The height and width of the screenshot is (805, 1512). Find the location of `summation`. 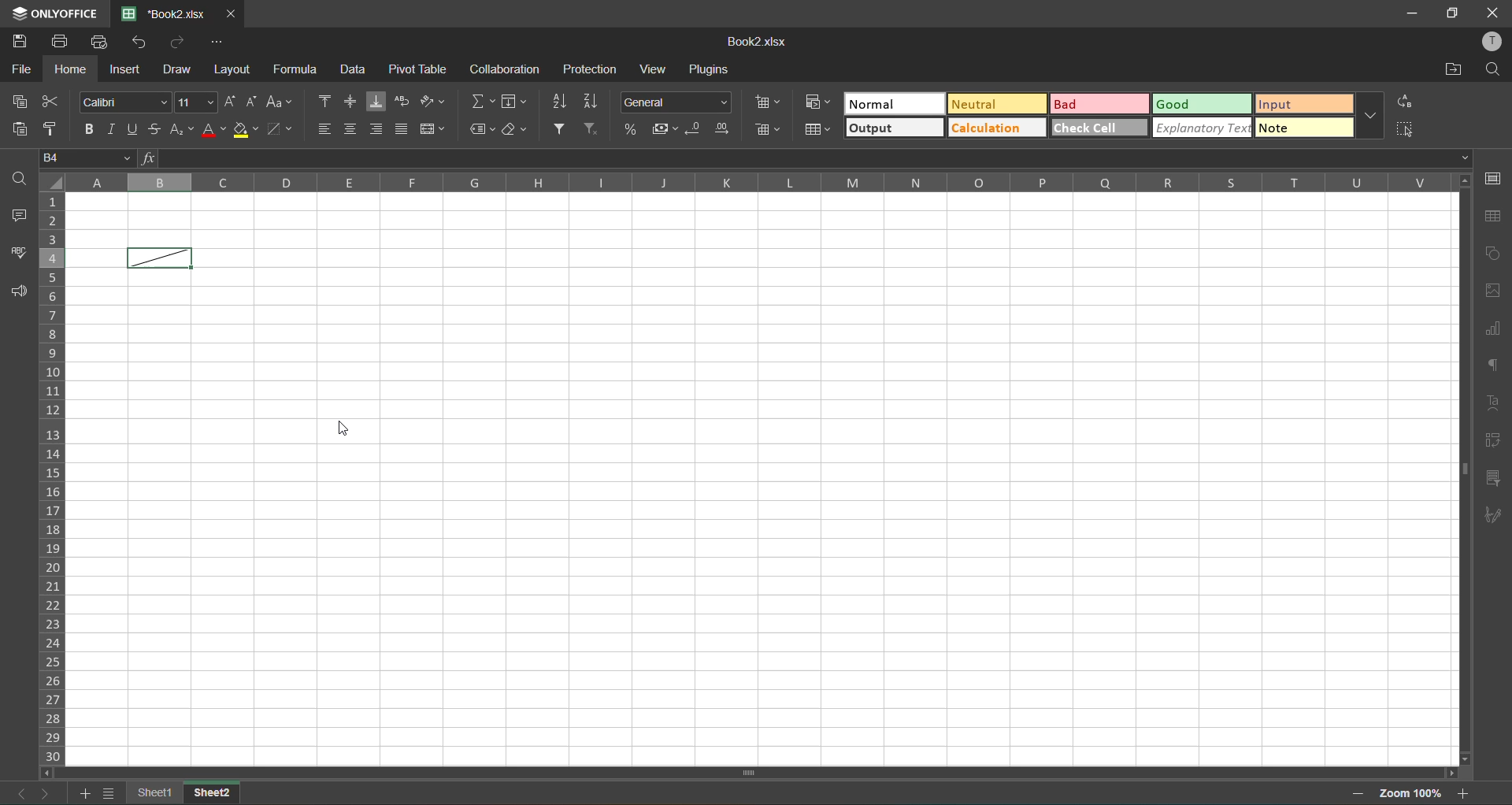

summation is located at coordinates (484, 101).